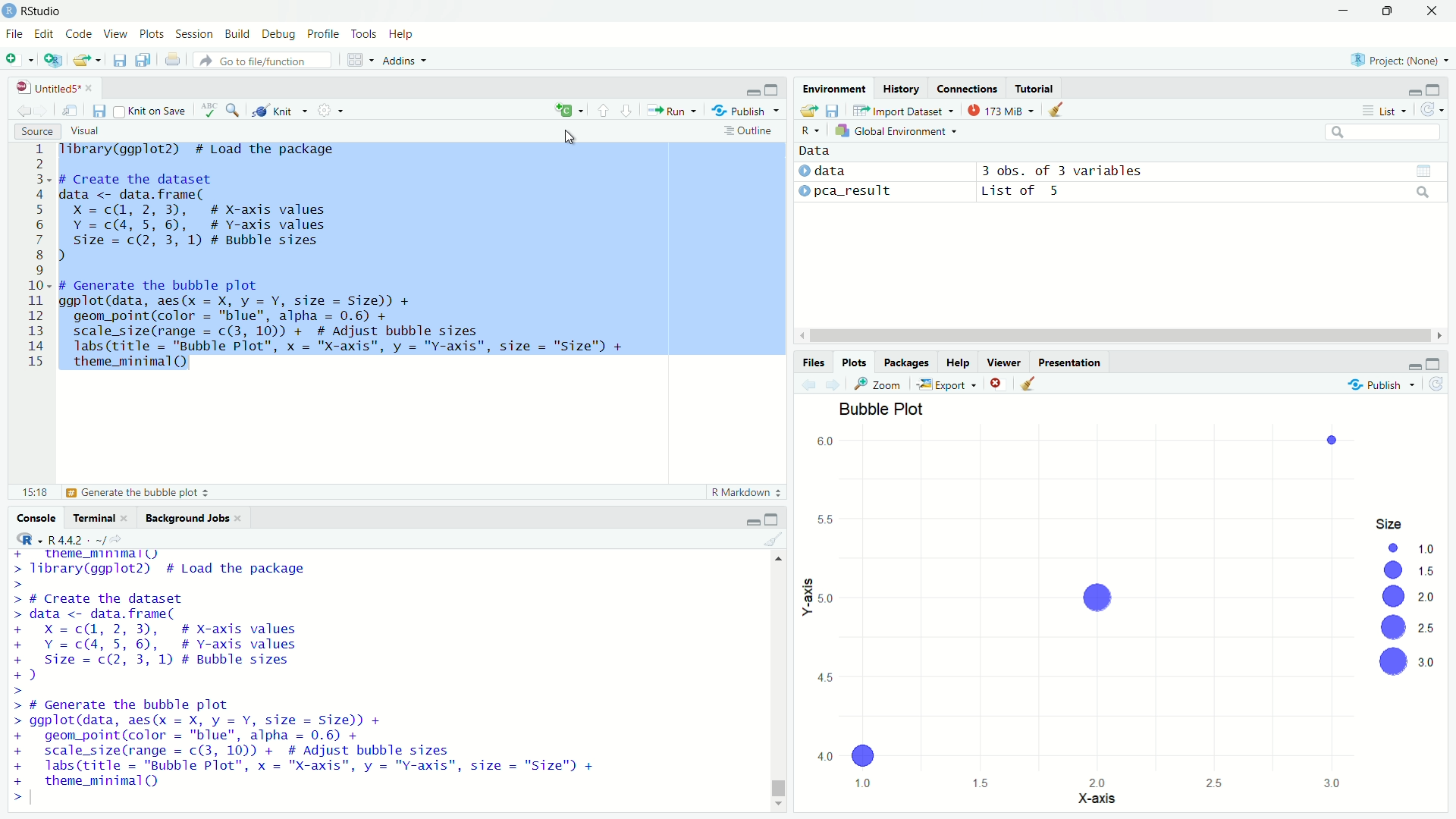 Image resolution: width=1456 pixels, height=819 pixels. Describe the element at coordinates (947, 385) in the screenshot. I see `export` at that location.